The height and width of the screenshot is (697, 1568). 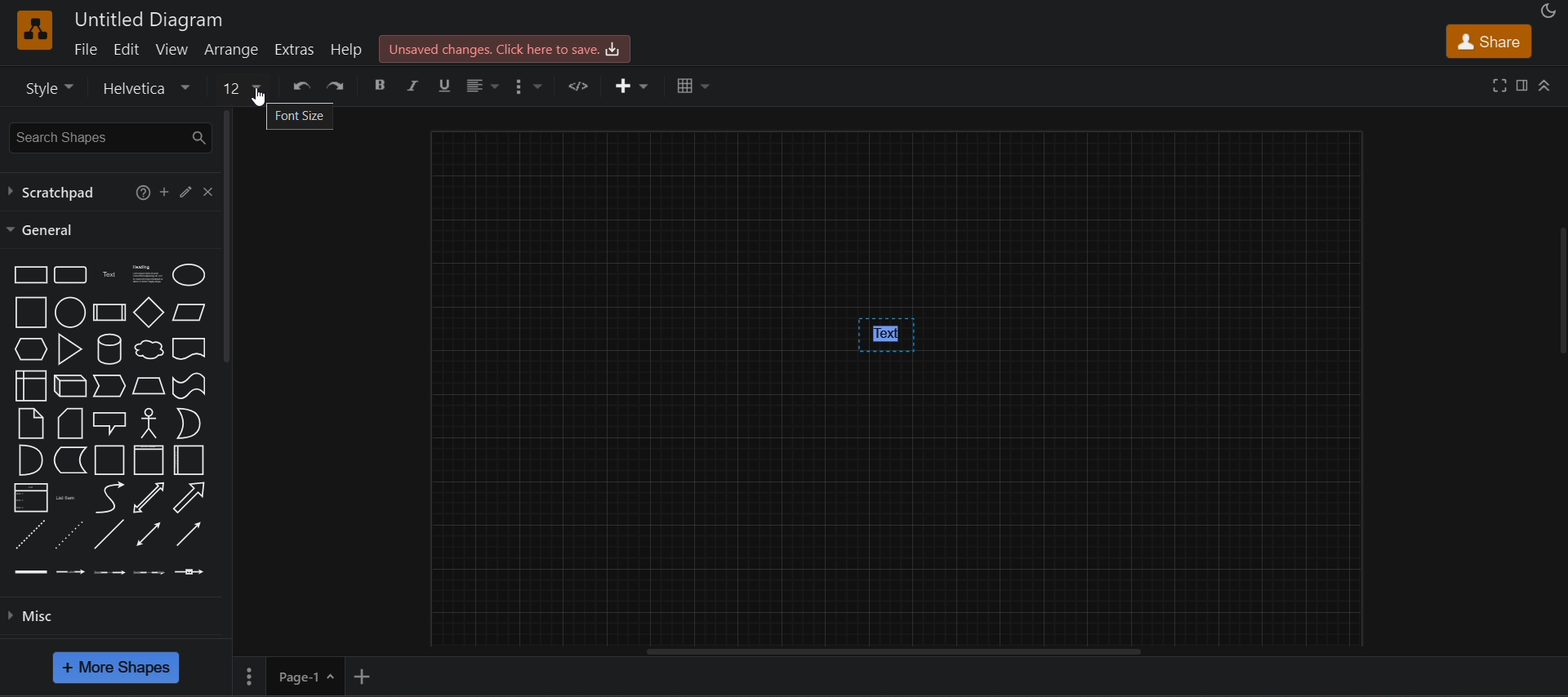 I want to click on Diamond, so click(x=149, y=312).